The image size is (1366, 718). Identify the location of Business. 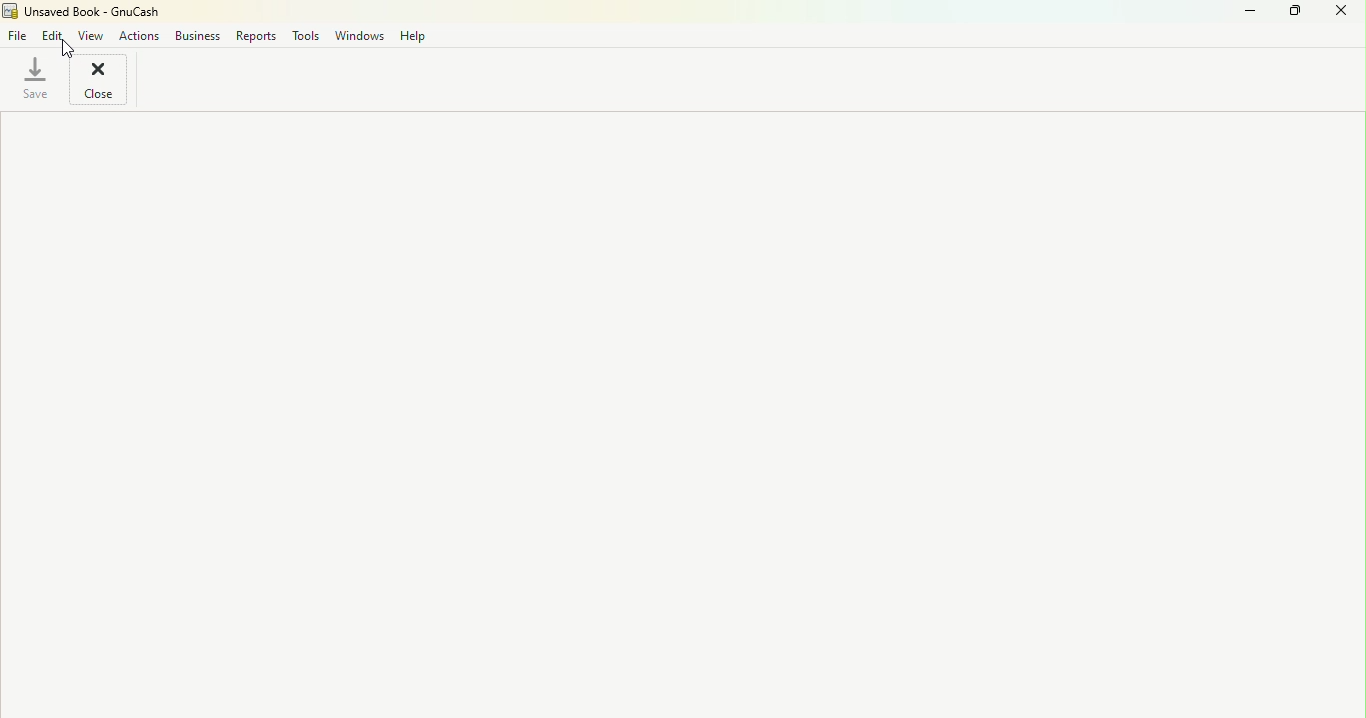
(198, 37).